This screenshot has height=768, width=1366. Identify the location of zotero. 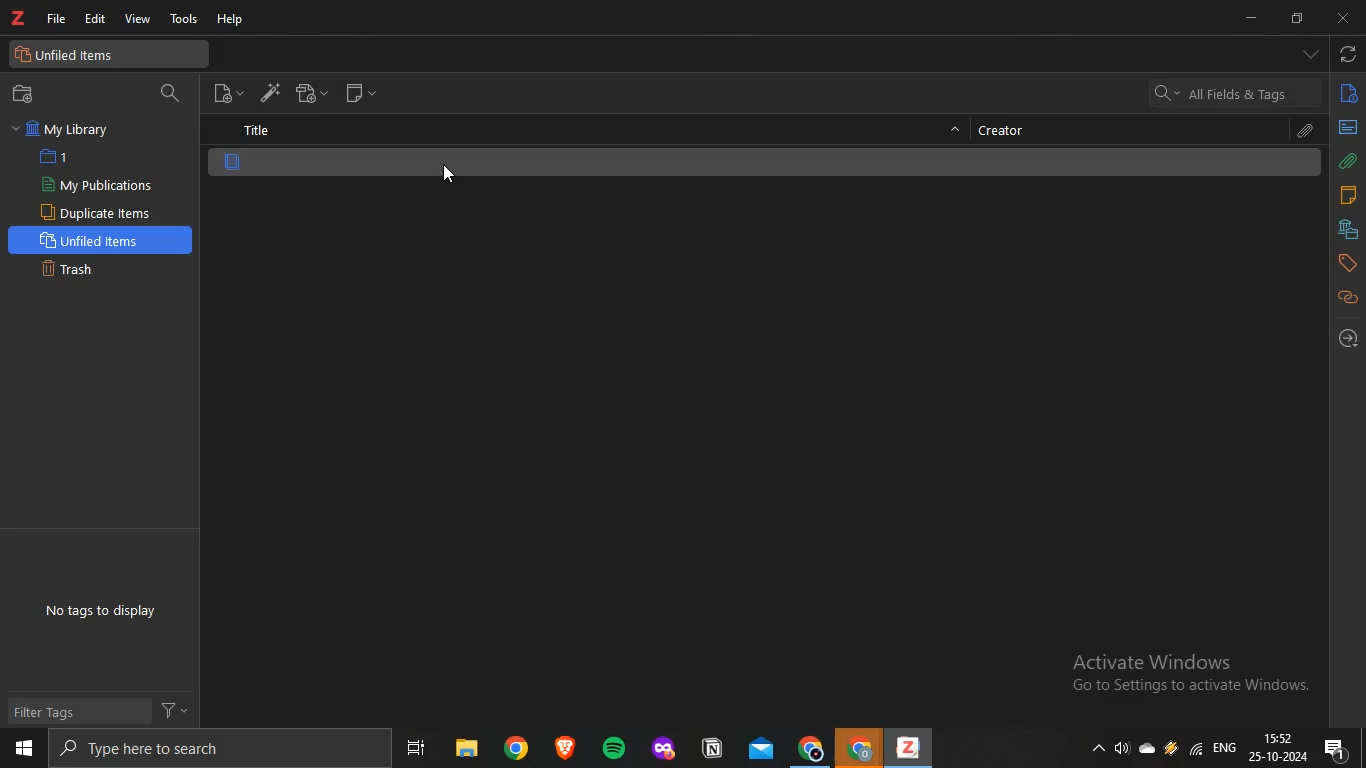
(19, 19).